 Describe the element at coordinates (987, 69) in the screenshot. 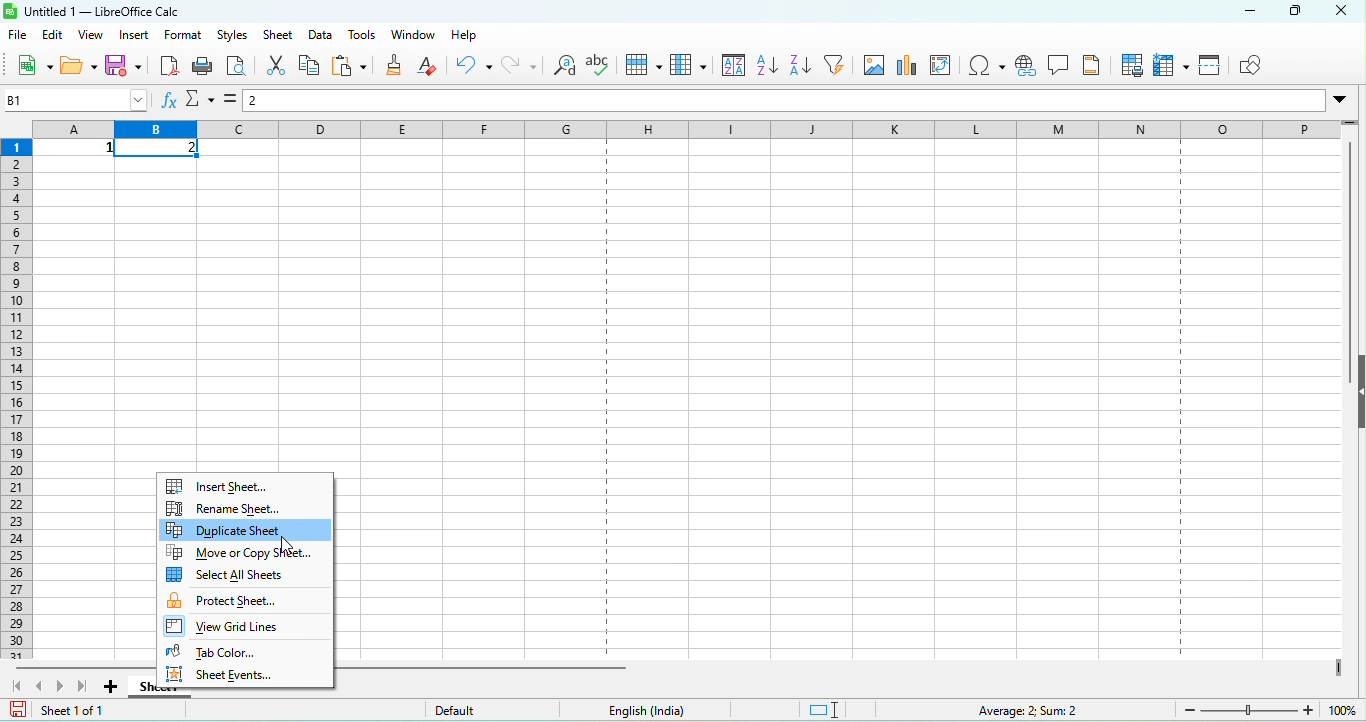

I see `special character` at that location.